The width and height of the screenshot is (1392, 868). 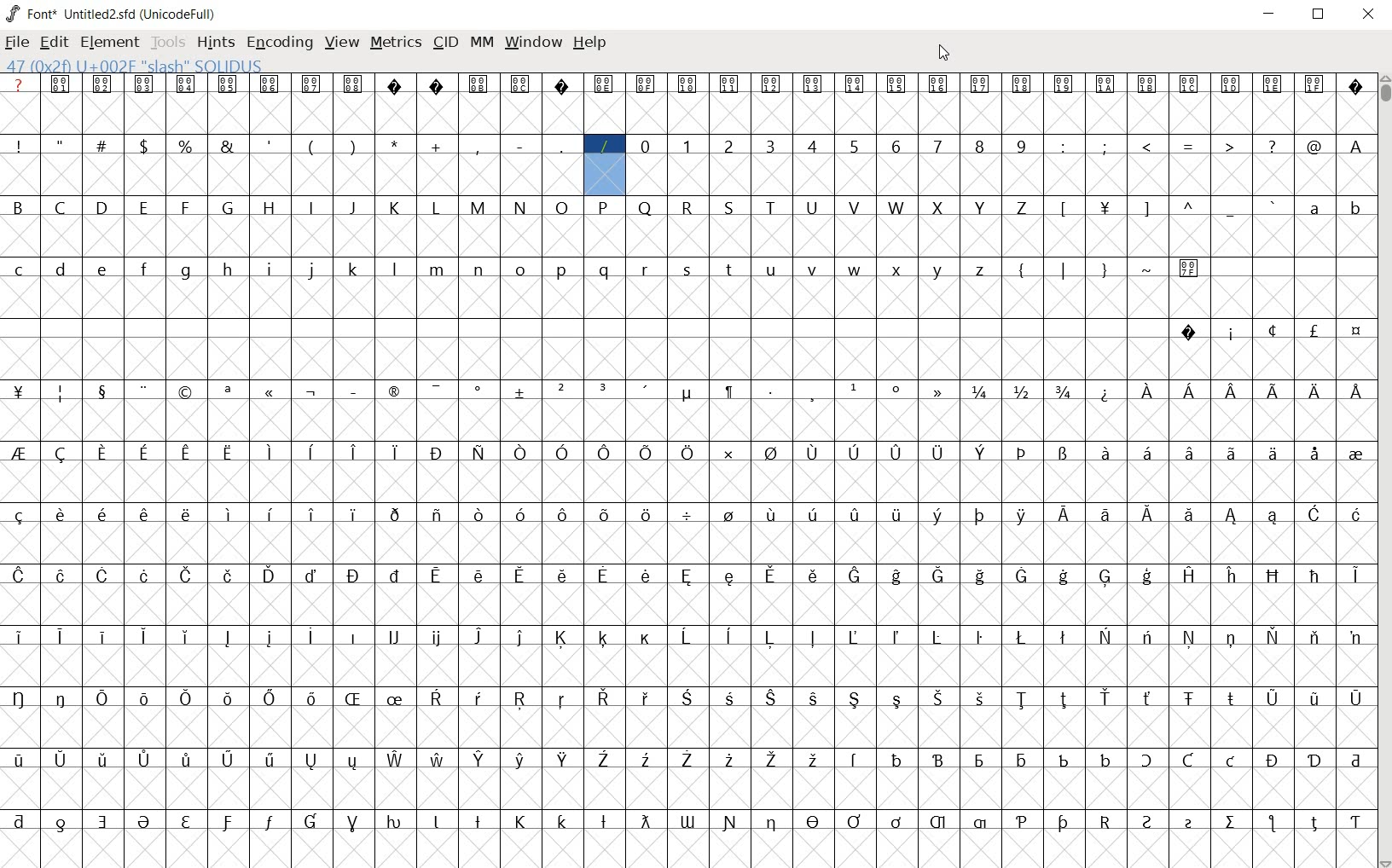 I want to click on glyph, so click(x=519, y=269).